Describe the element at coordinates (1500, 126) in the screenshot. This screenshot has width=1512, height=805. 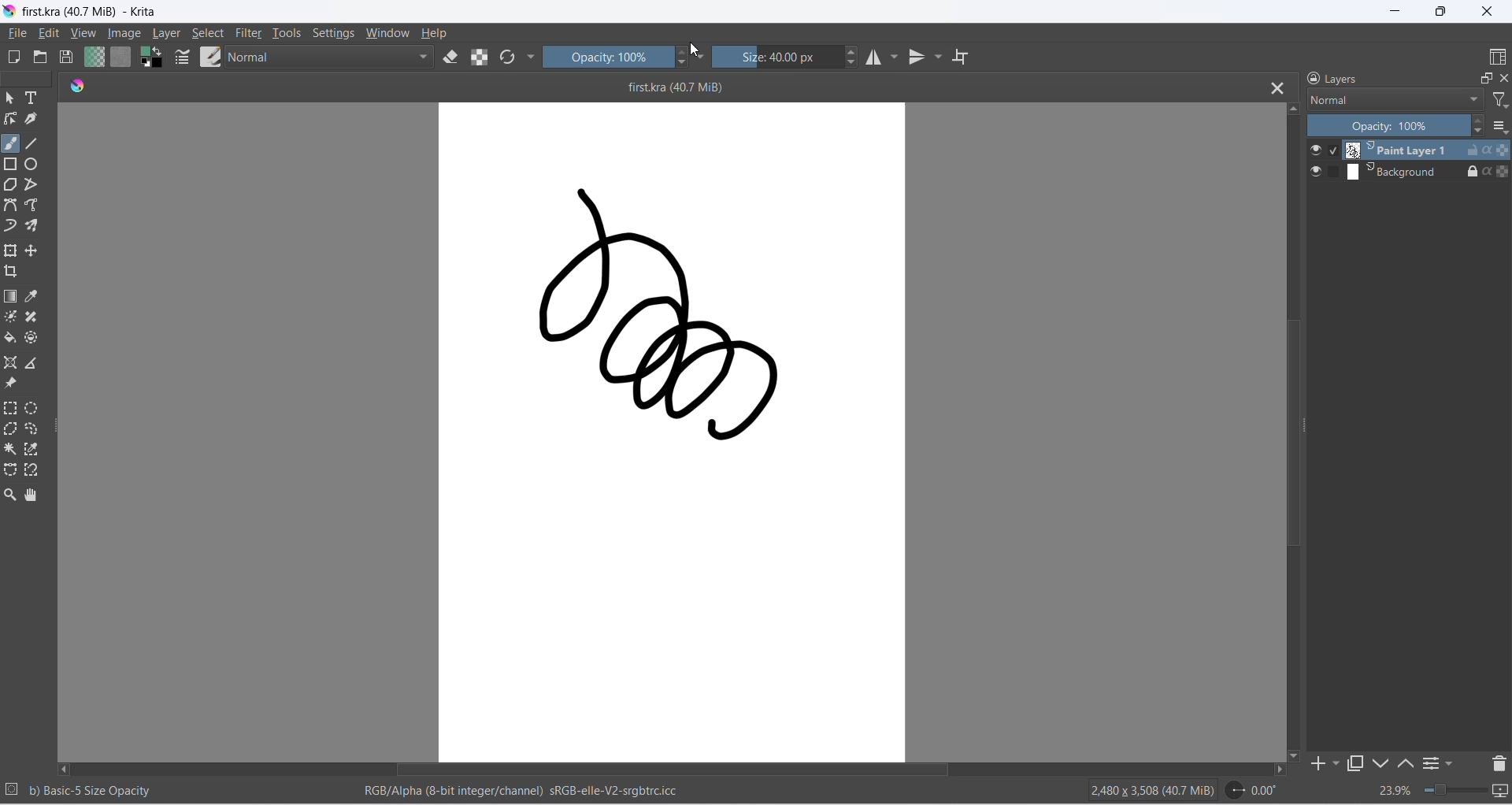
I see `opactity thumbnail options` at that location.